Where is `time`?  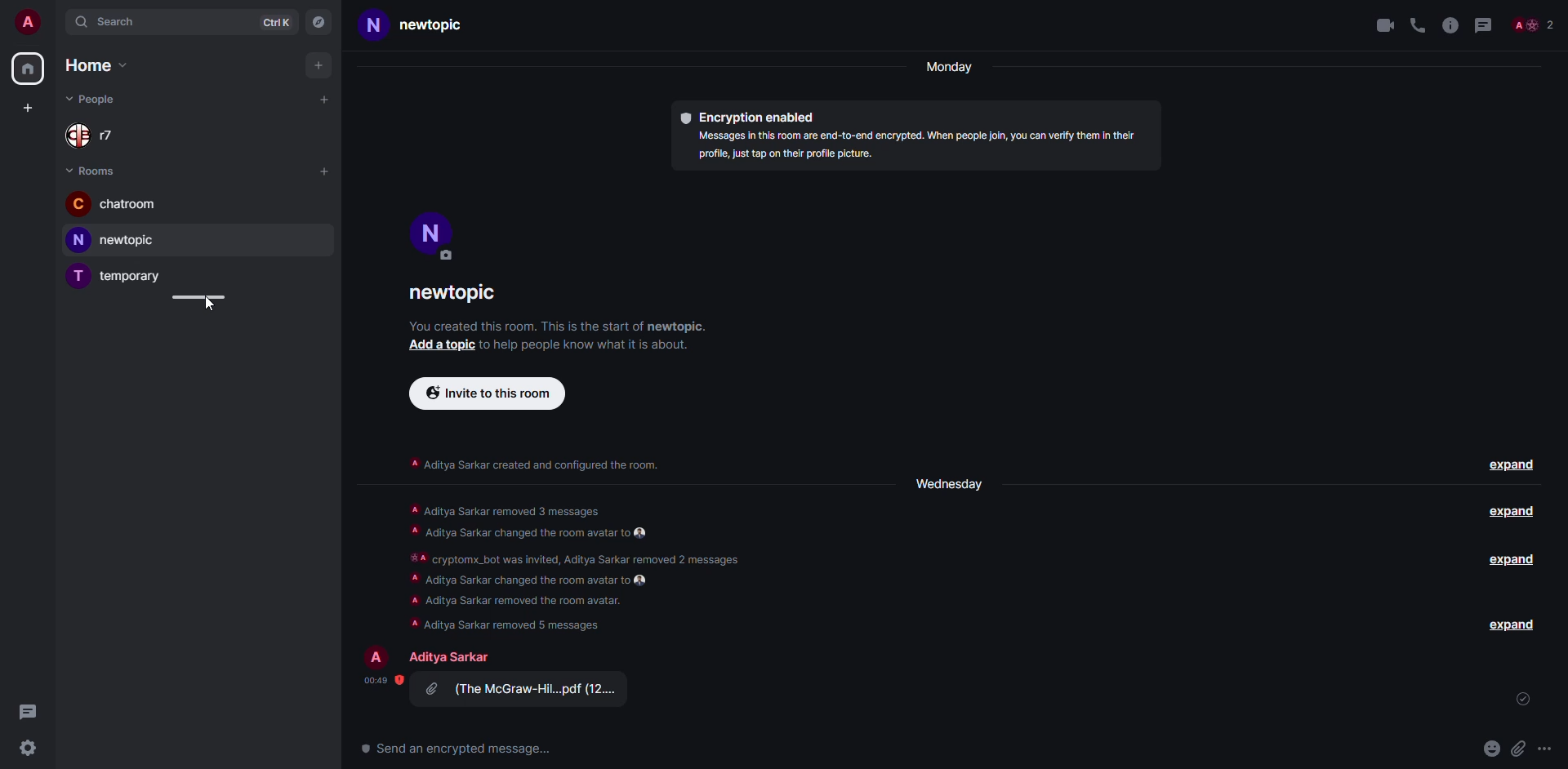
time is located at coordinates (377, 681).